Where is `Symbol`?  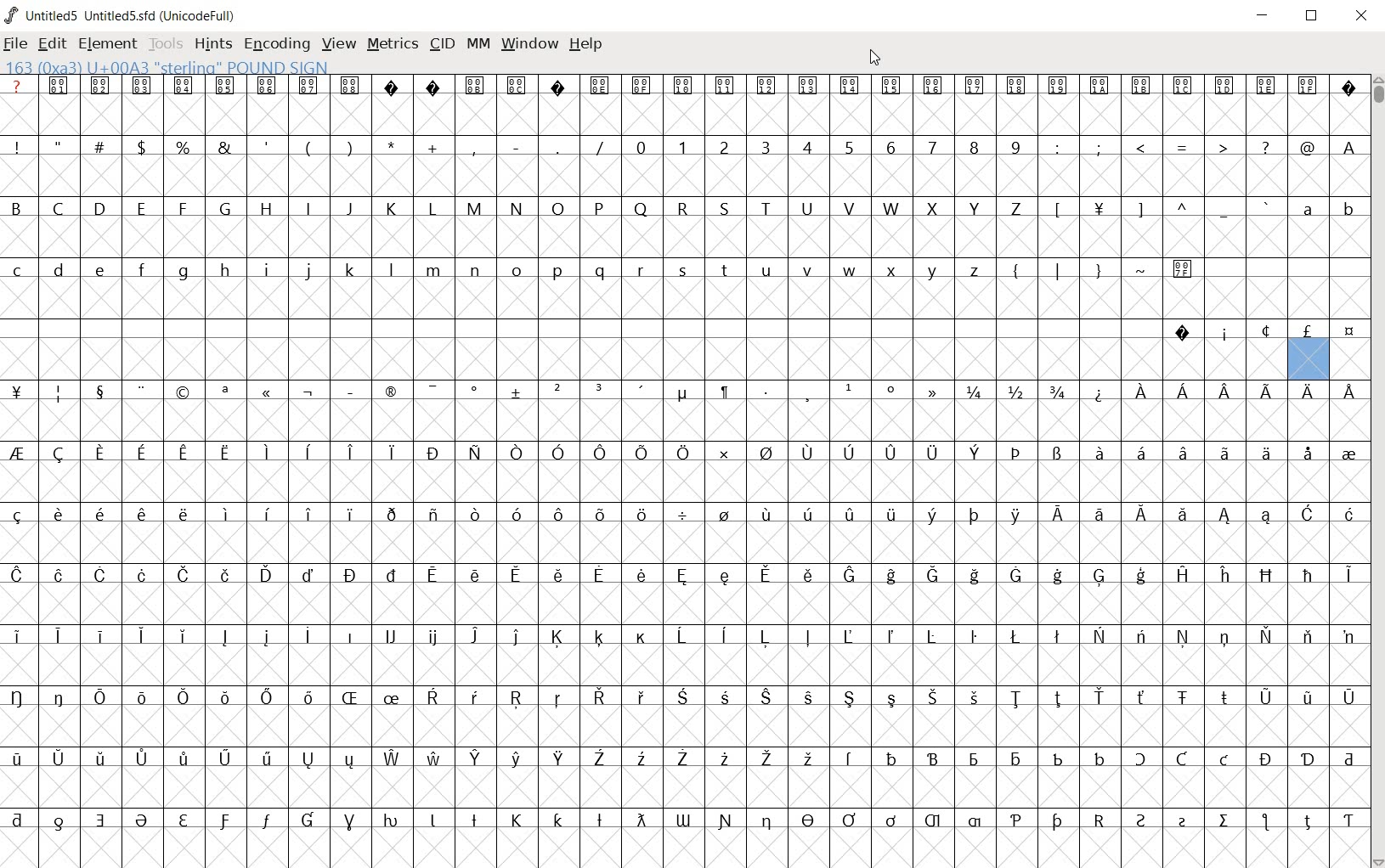 Symbol is located at coordinates (806, 576).